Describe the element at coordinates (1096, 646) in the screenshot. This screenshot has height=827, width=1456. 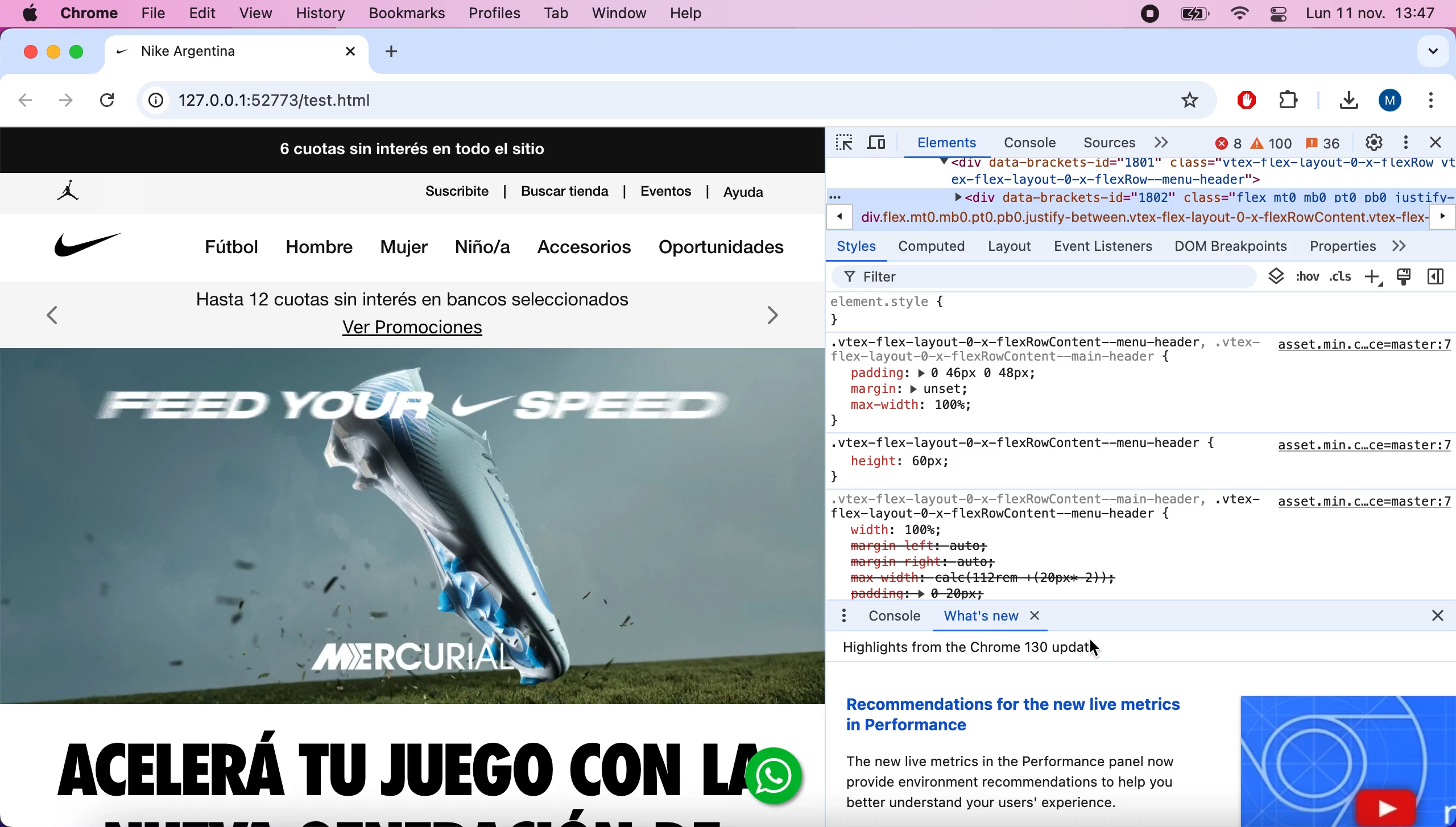
I see `cursor` at that location.